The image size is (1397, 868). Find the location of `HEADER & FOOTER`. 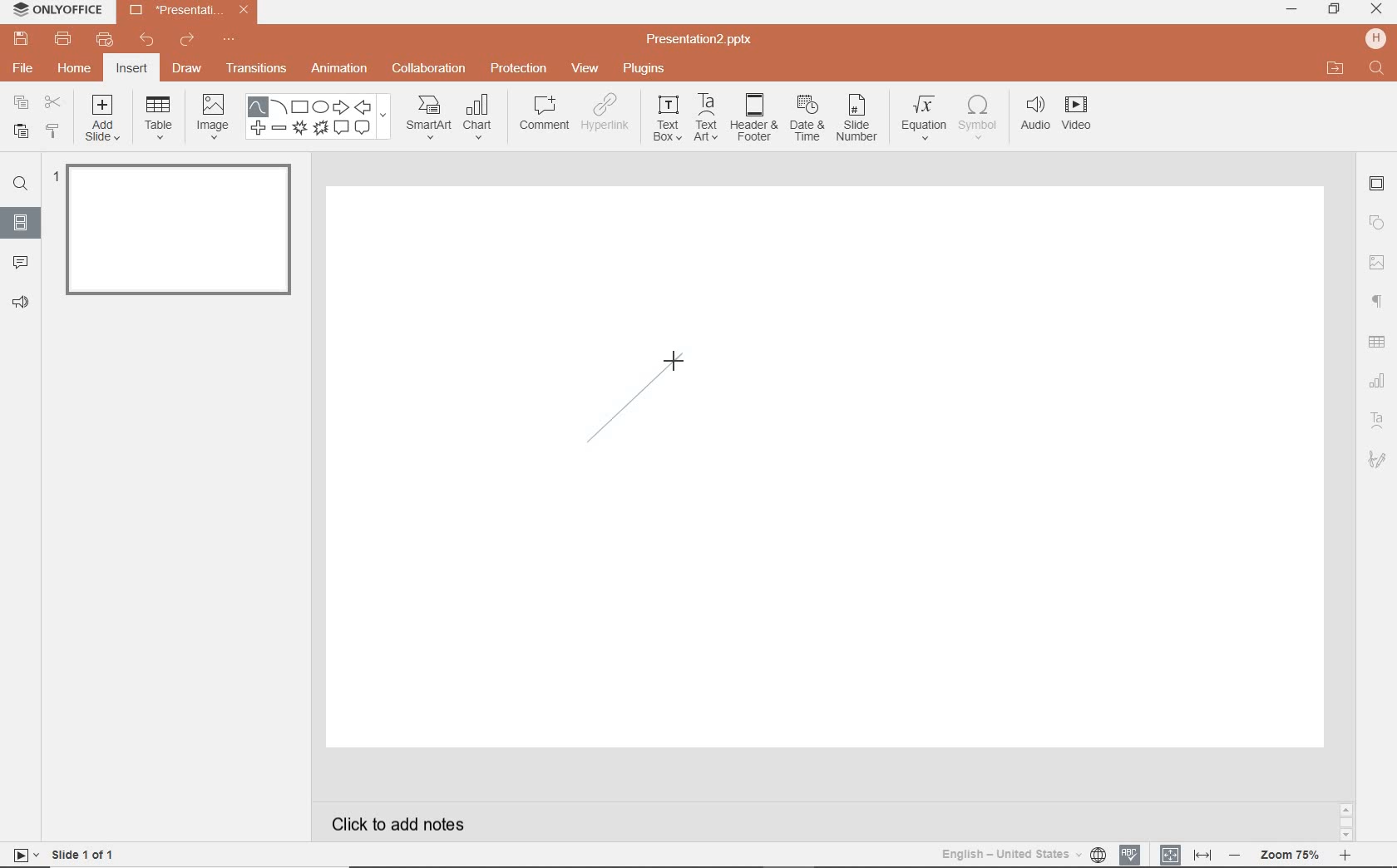

HEADER & FOOTER is located at coordinates (753, 118).